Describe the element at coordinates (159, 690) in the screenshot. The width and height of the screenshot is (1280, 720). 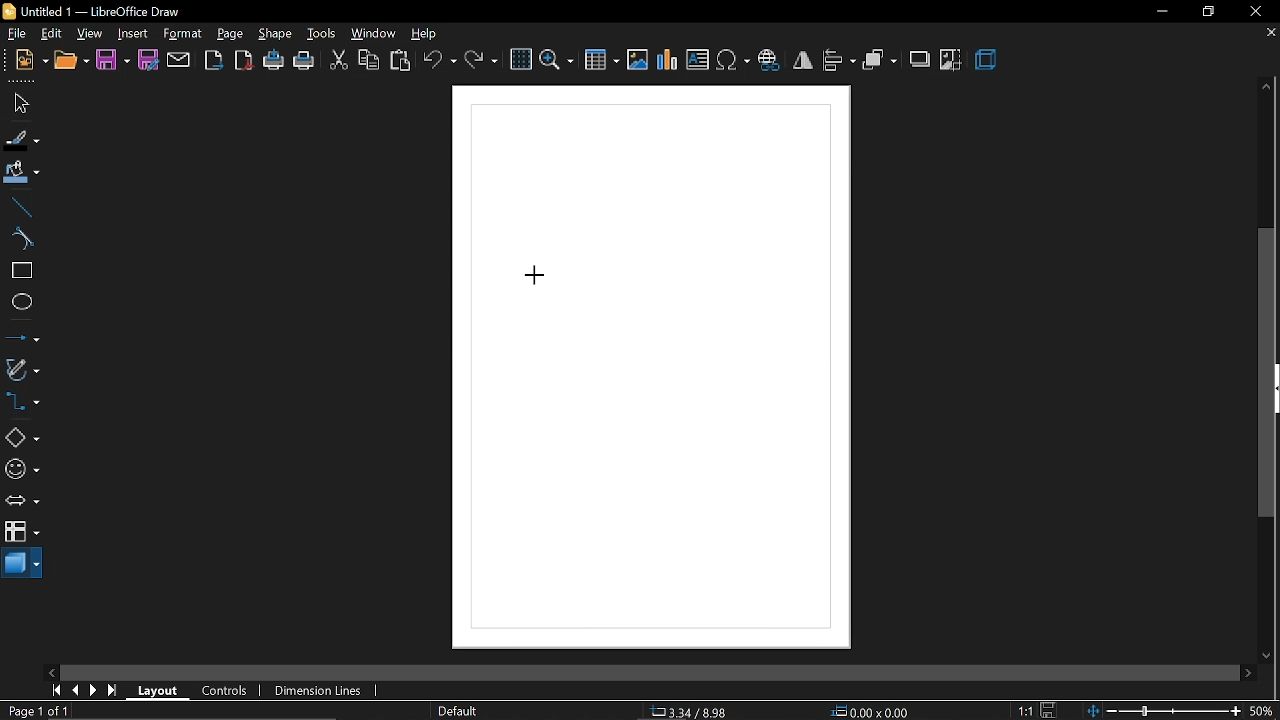
I see `layout` at that location.